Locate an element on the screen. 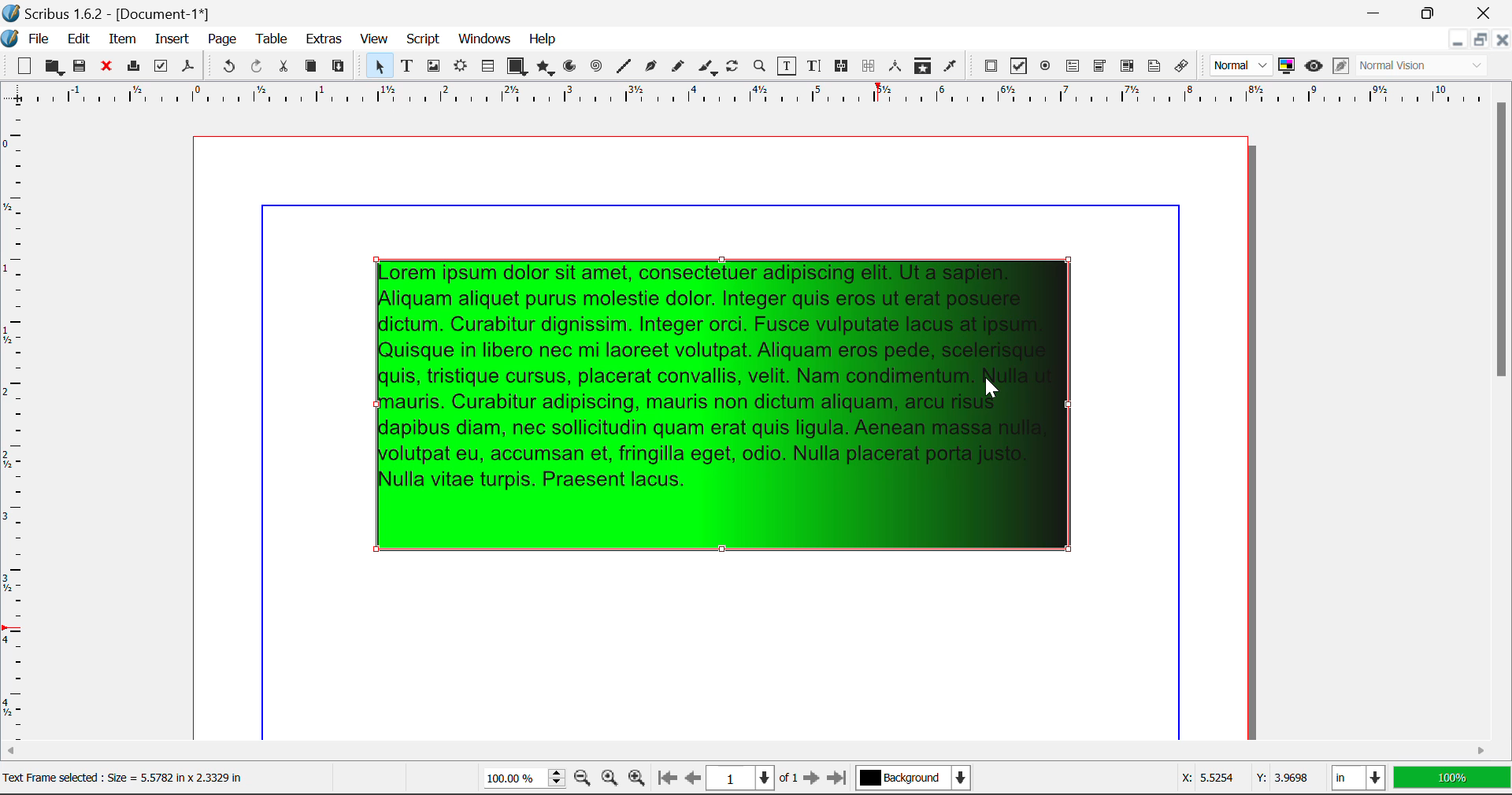 The height and width of the screenshot is (795, 1512). Cursor Coordinates is located at coordinates (1241, 778).